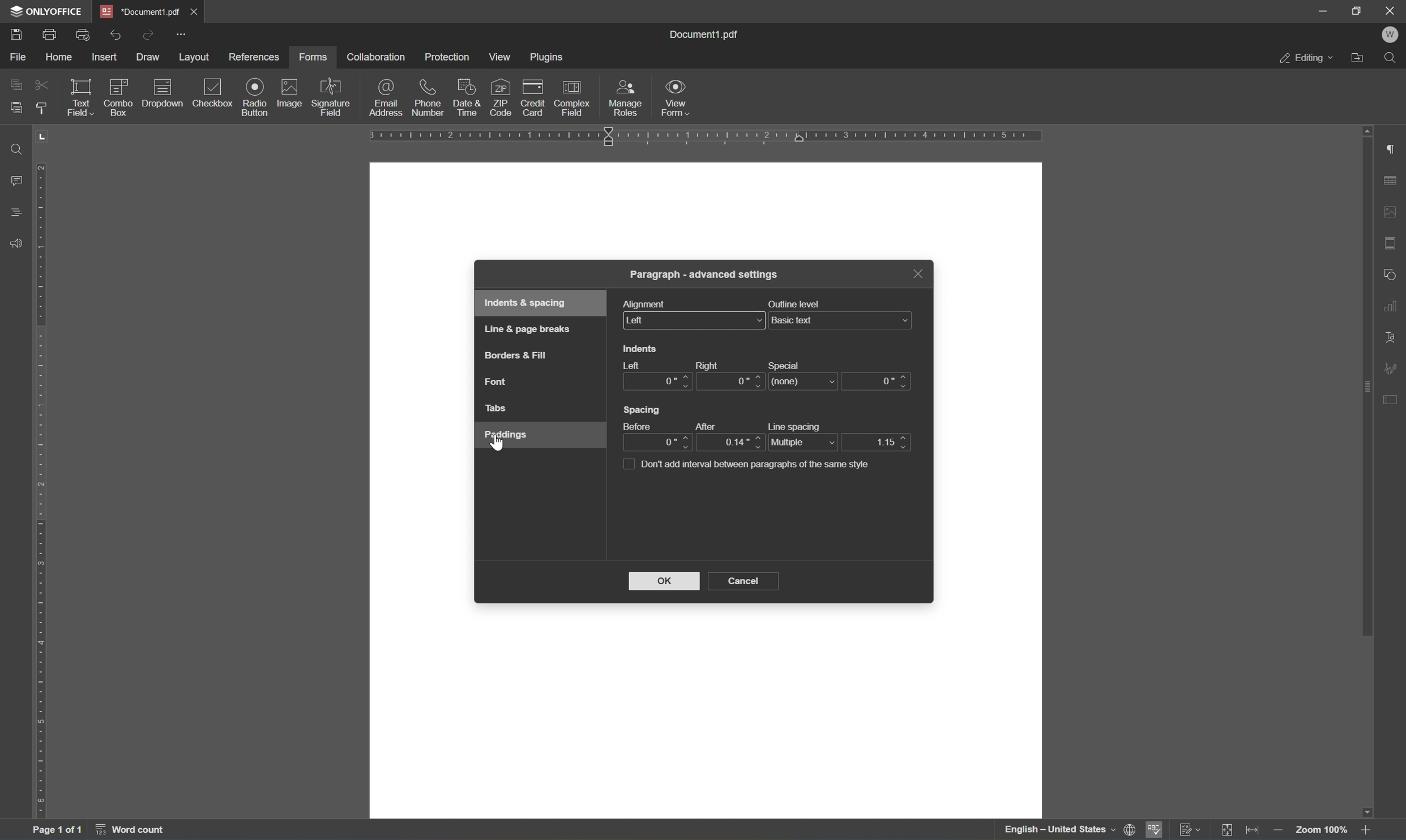  What do you see at coordinates (19, 55) in the screenshot?
I see `file` at bounding box center [19, 55].